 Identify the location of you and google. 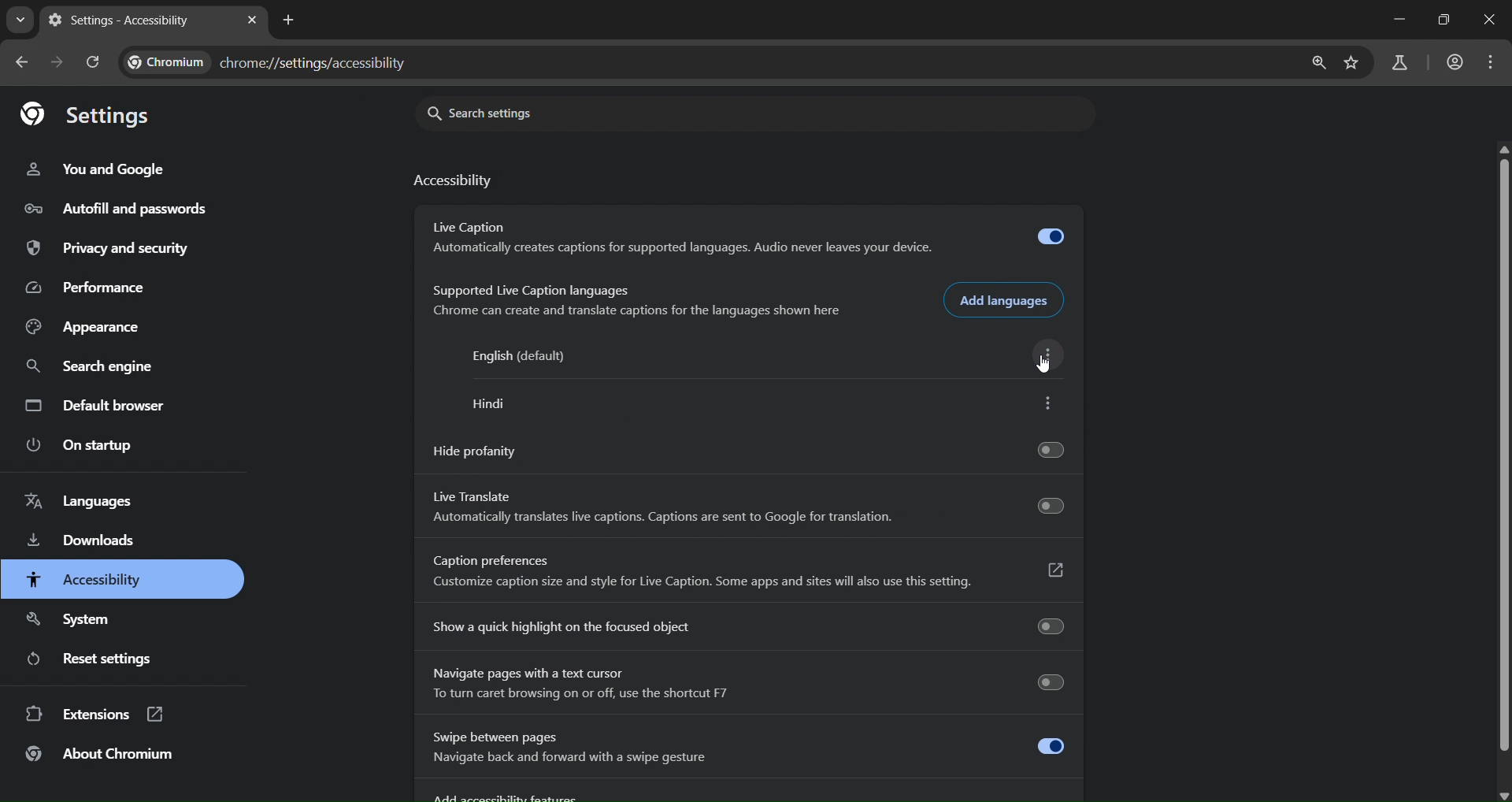
(103, 173).